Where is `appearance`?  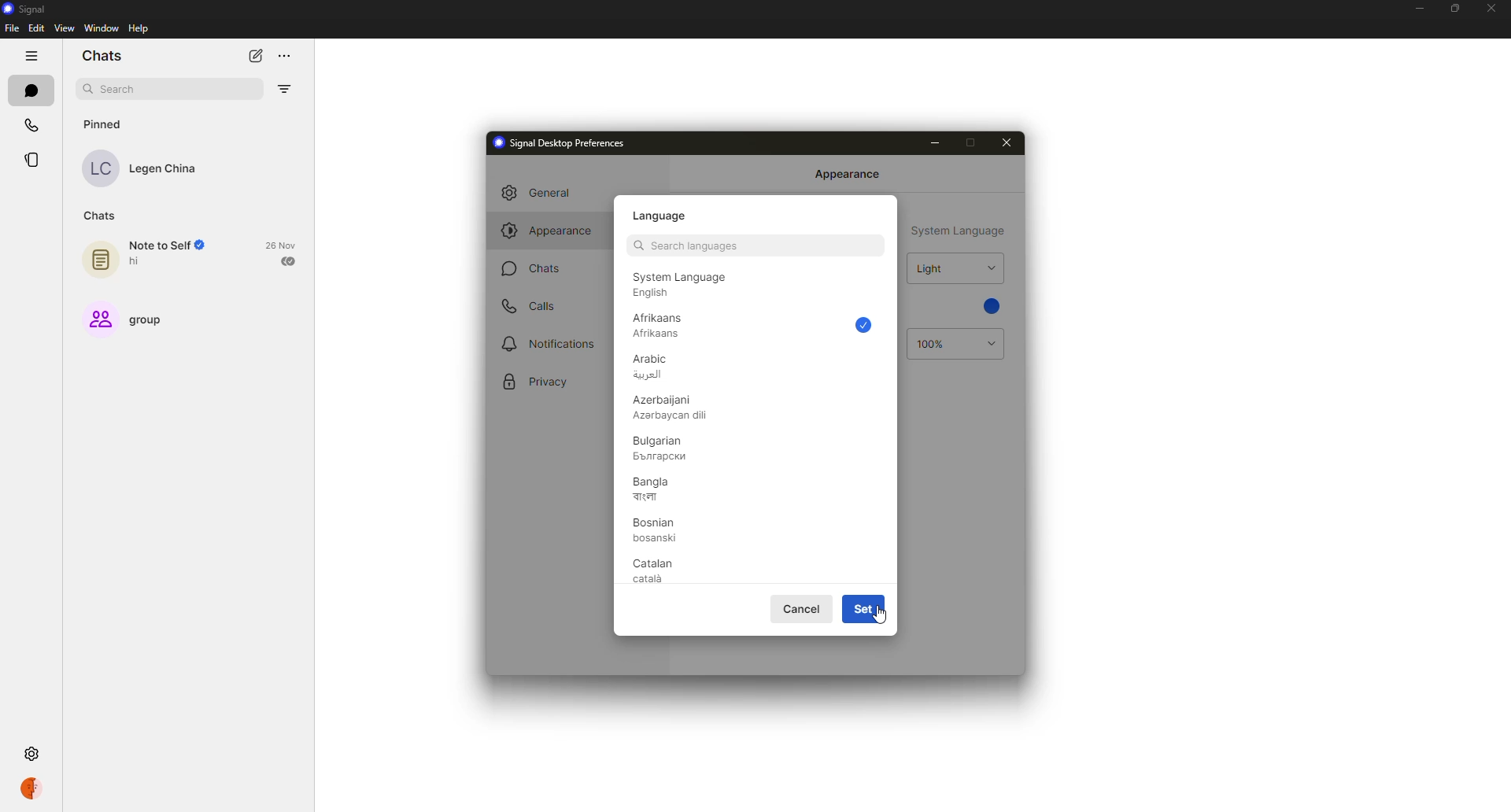 appearance is located at coordinates (848, 174).